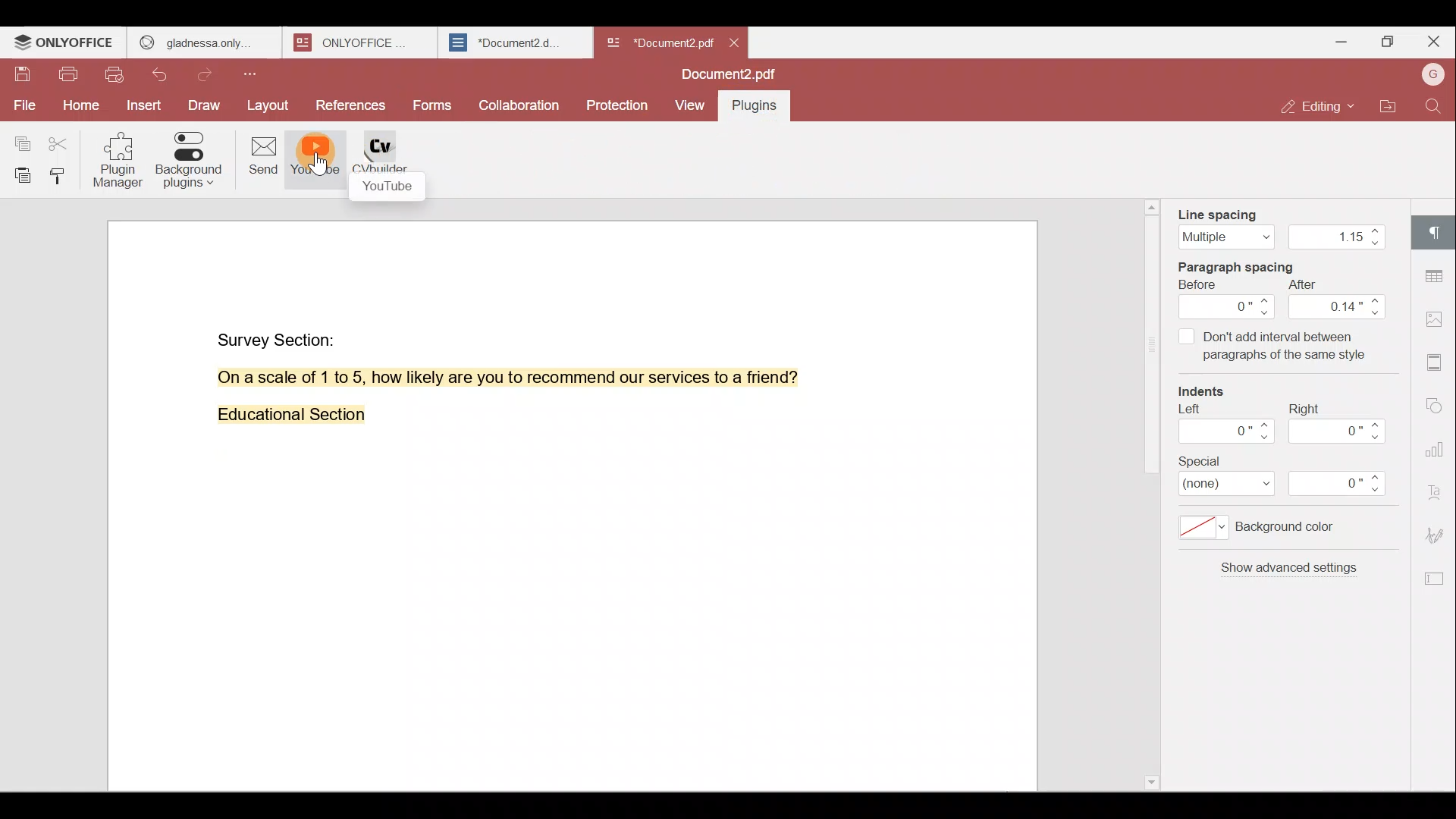 The width and height of the screenshot is (1456, 819). I want to click on pointer cursor, so click(320, 170).